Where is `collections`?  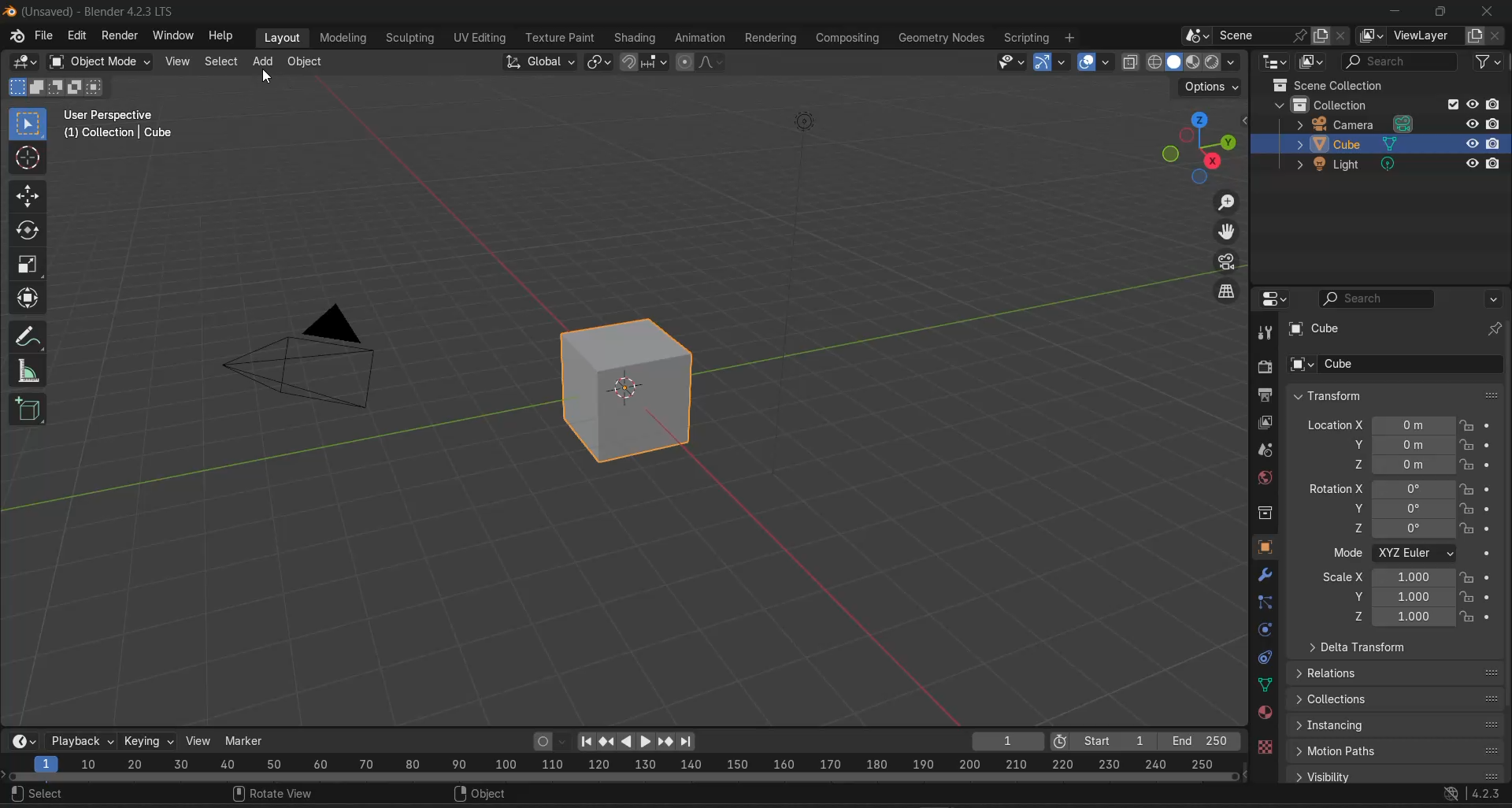 collections is located at coordinates (1397, 697).